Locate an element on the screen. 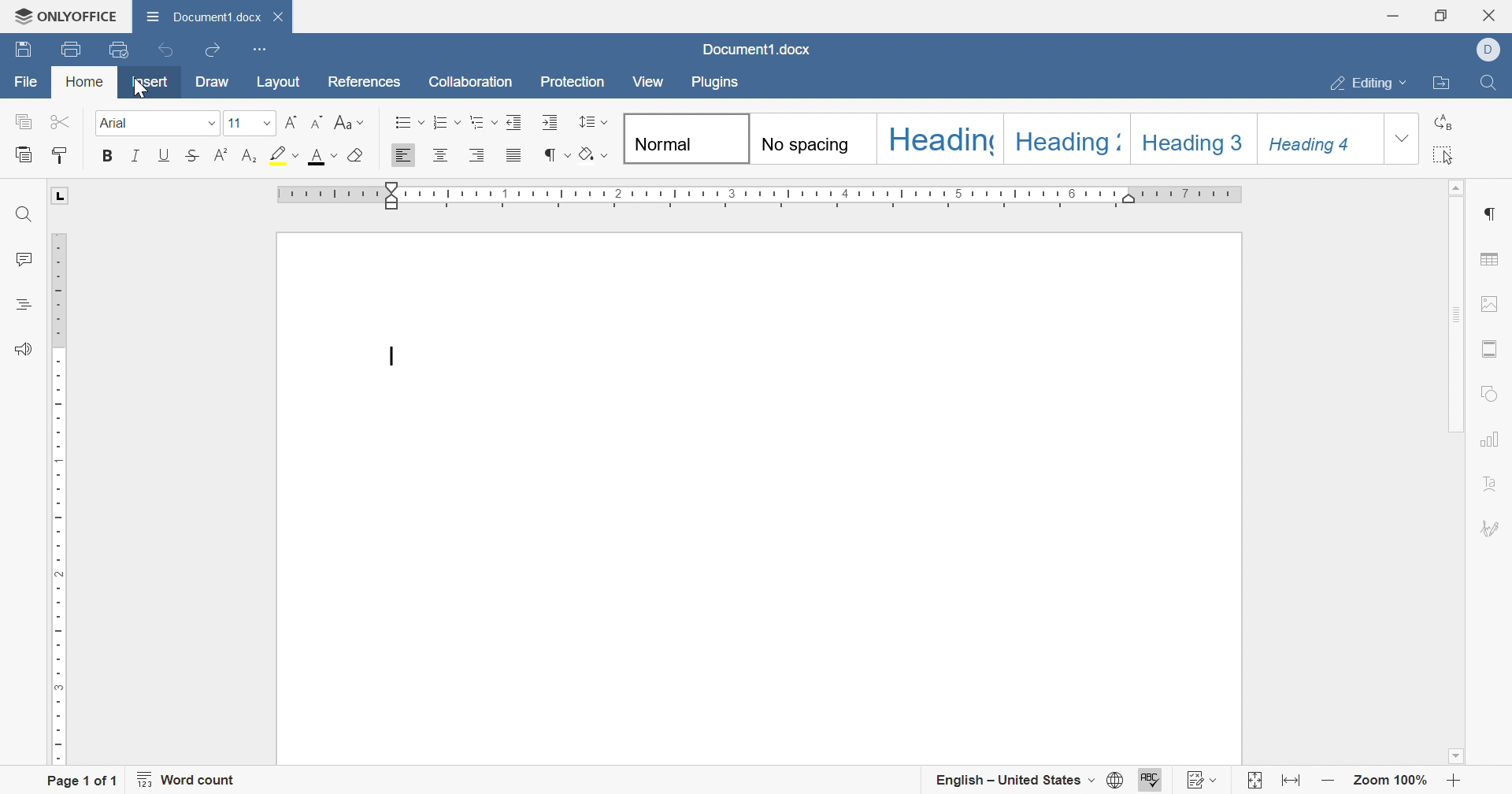 The width and height of the screenshot is (1512, 794). English - United States is located at coordinates (1001, 777).